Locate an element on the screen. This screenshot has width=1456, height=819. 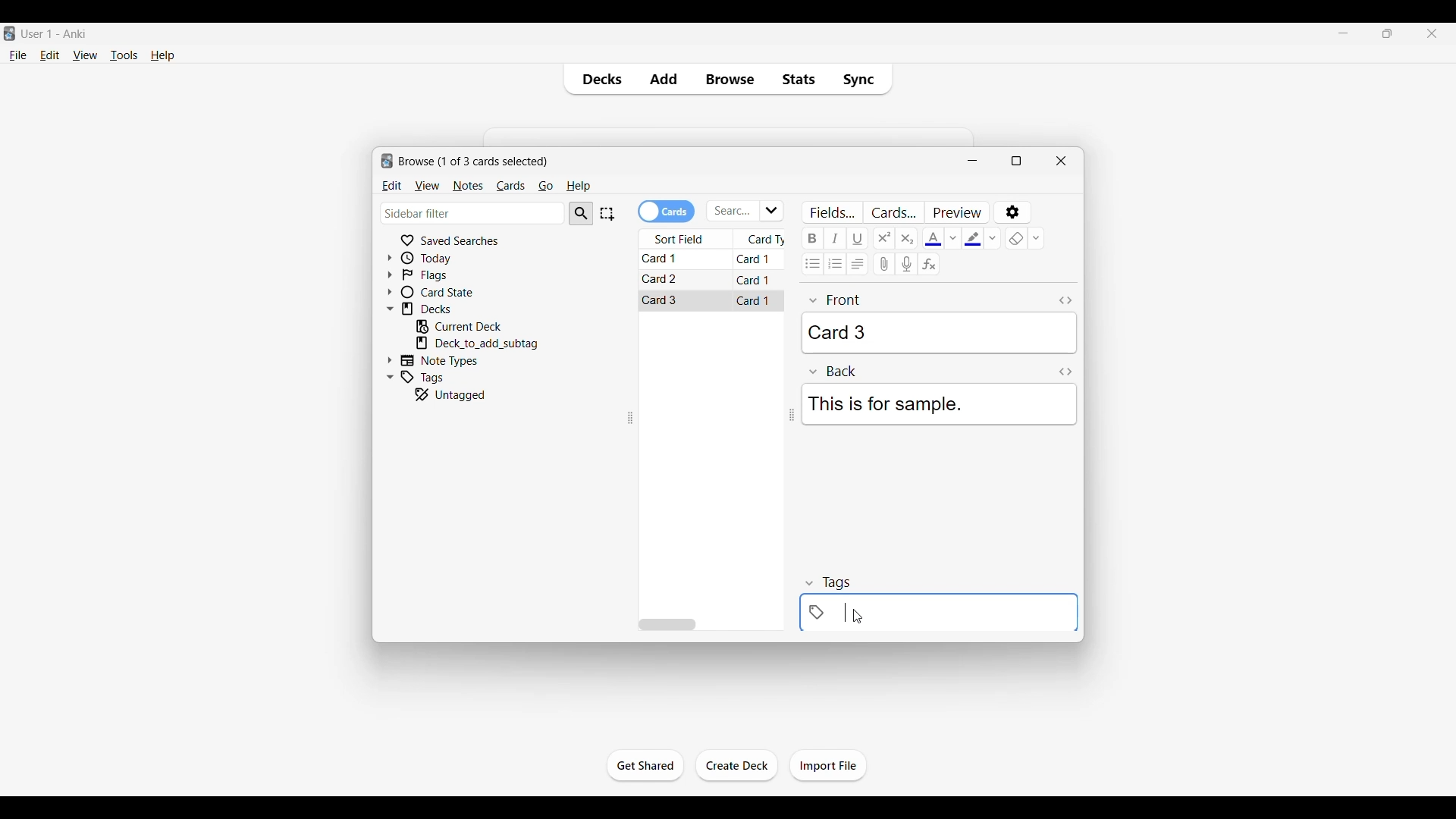
Search is located at coordinates (581, 214).